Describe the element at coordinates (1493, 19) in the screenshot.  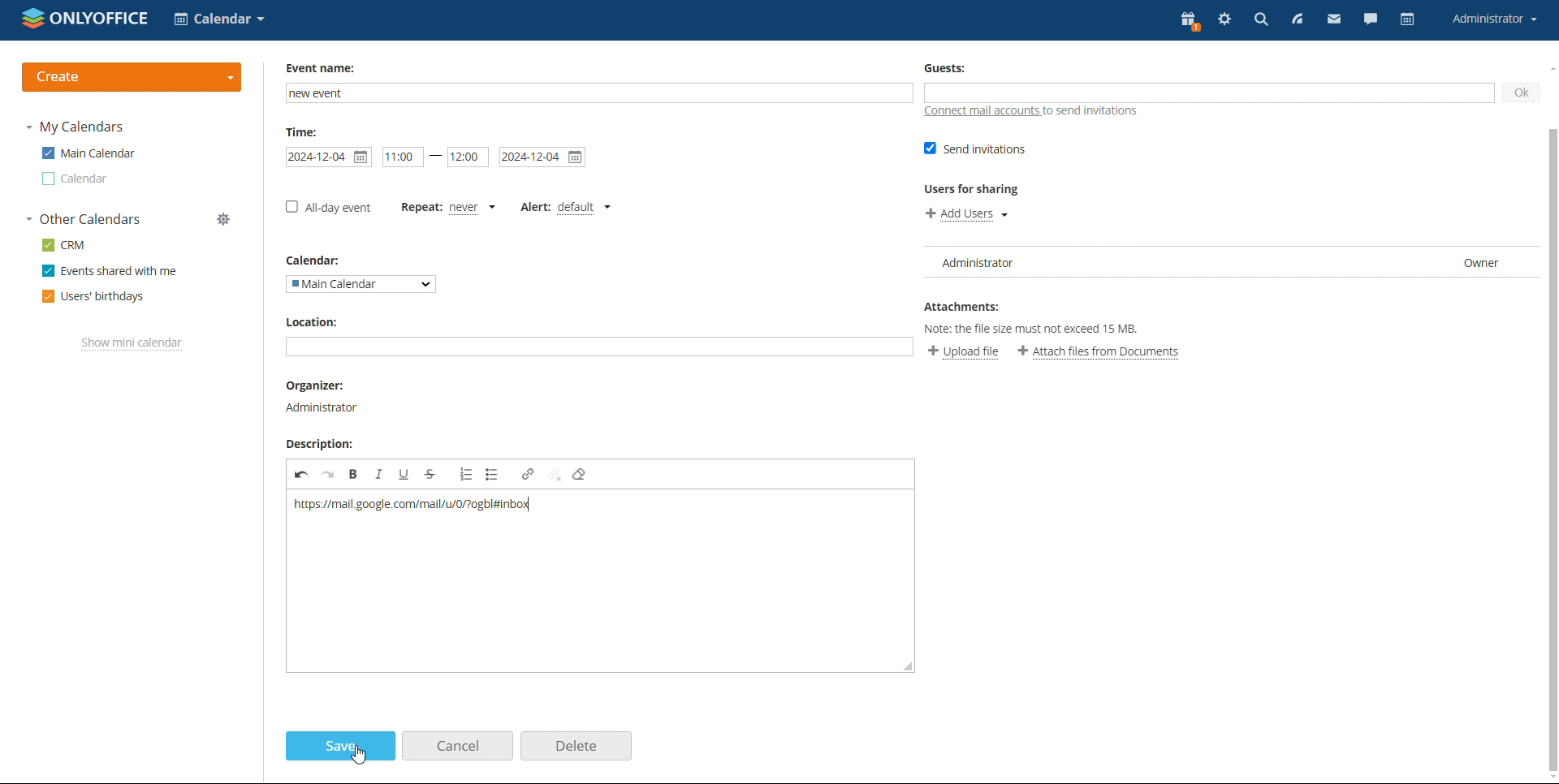
I see `account` at that location.